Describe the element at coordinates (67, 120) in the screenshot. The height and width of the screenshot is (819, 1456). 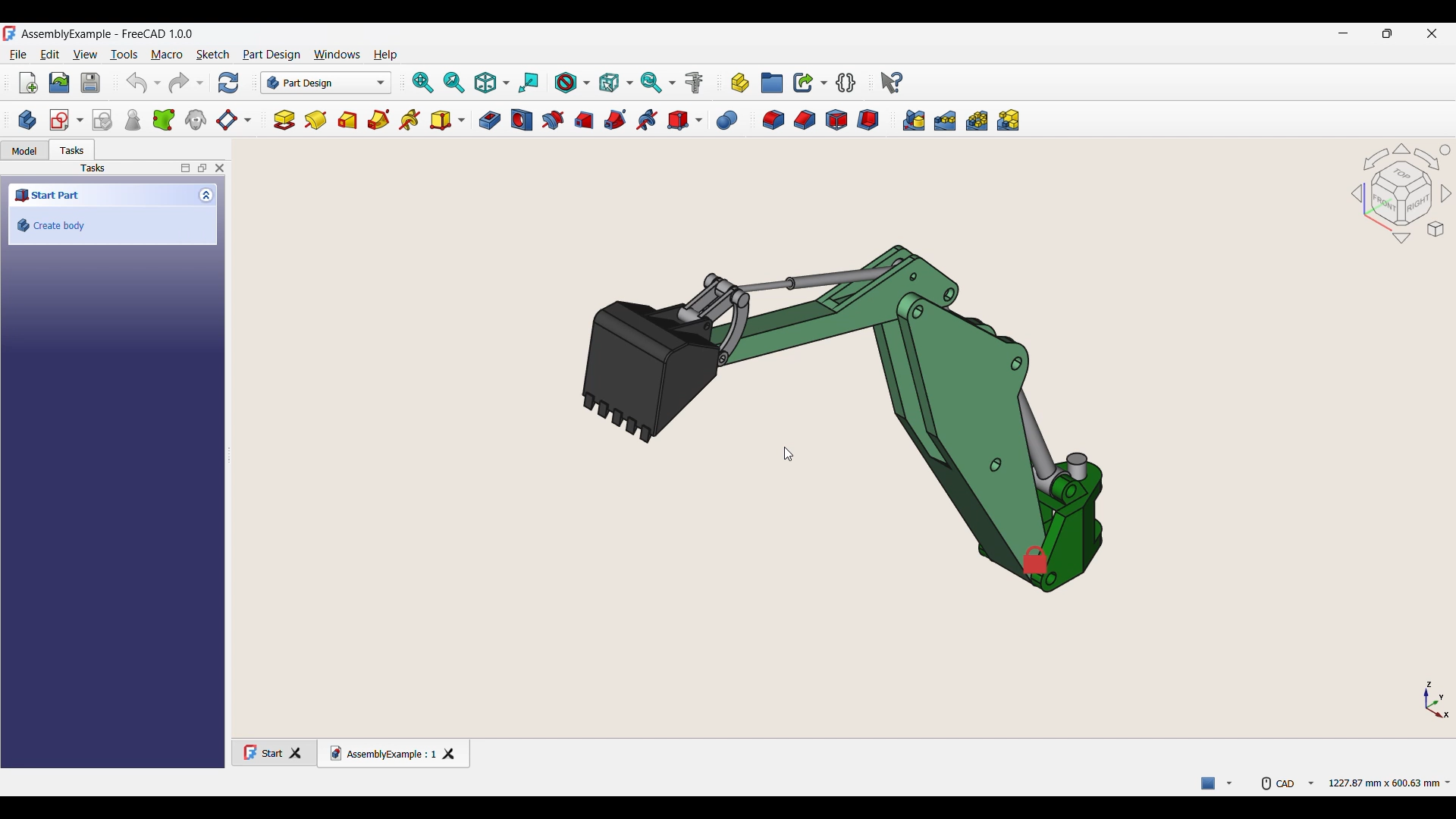
I see `Create sketch options` at that location.